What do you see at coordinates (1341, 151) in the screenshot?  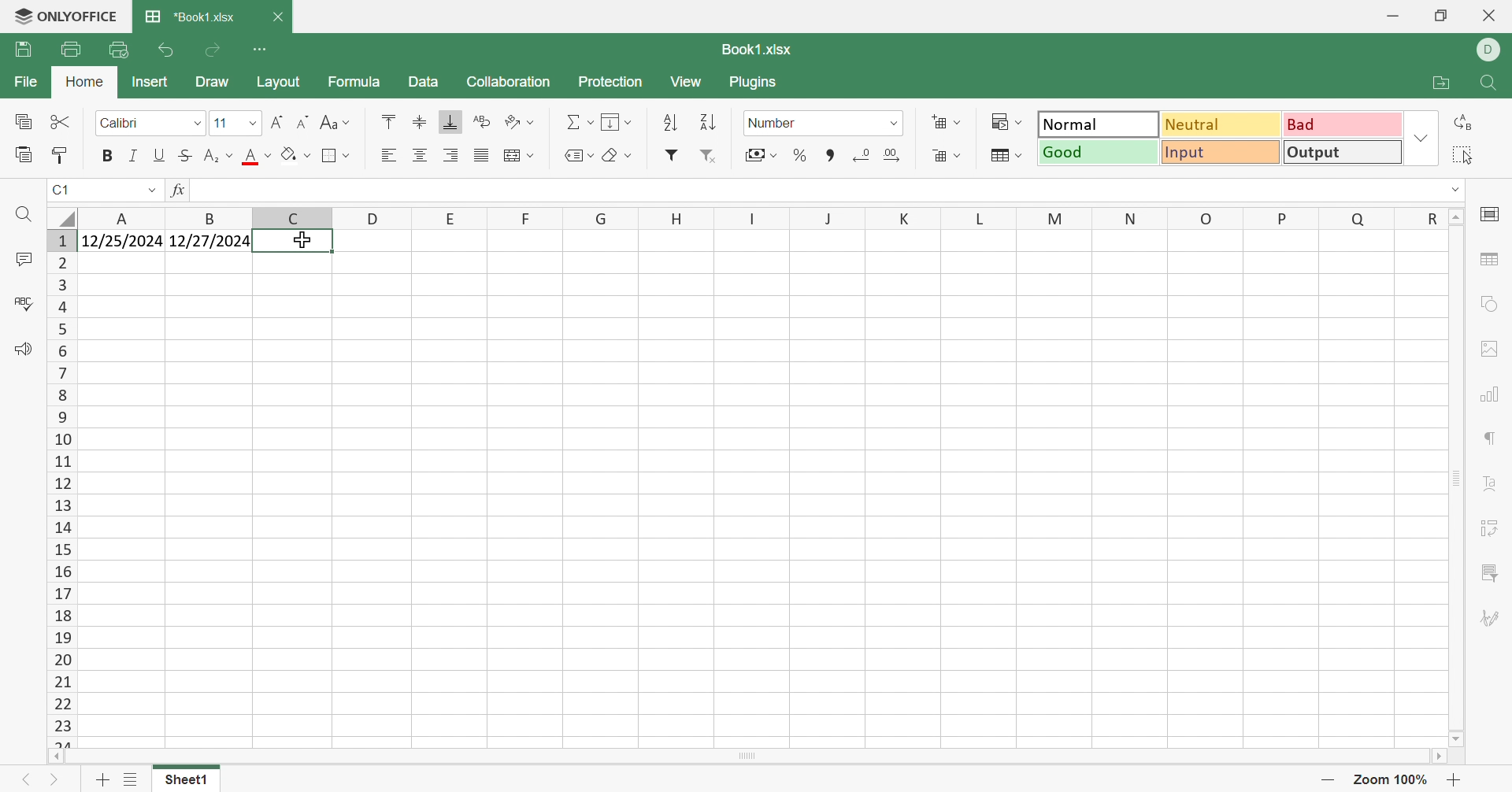 I see `Output` at bounding box center [1341, 151].